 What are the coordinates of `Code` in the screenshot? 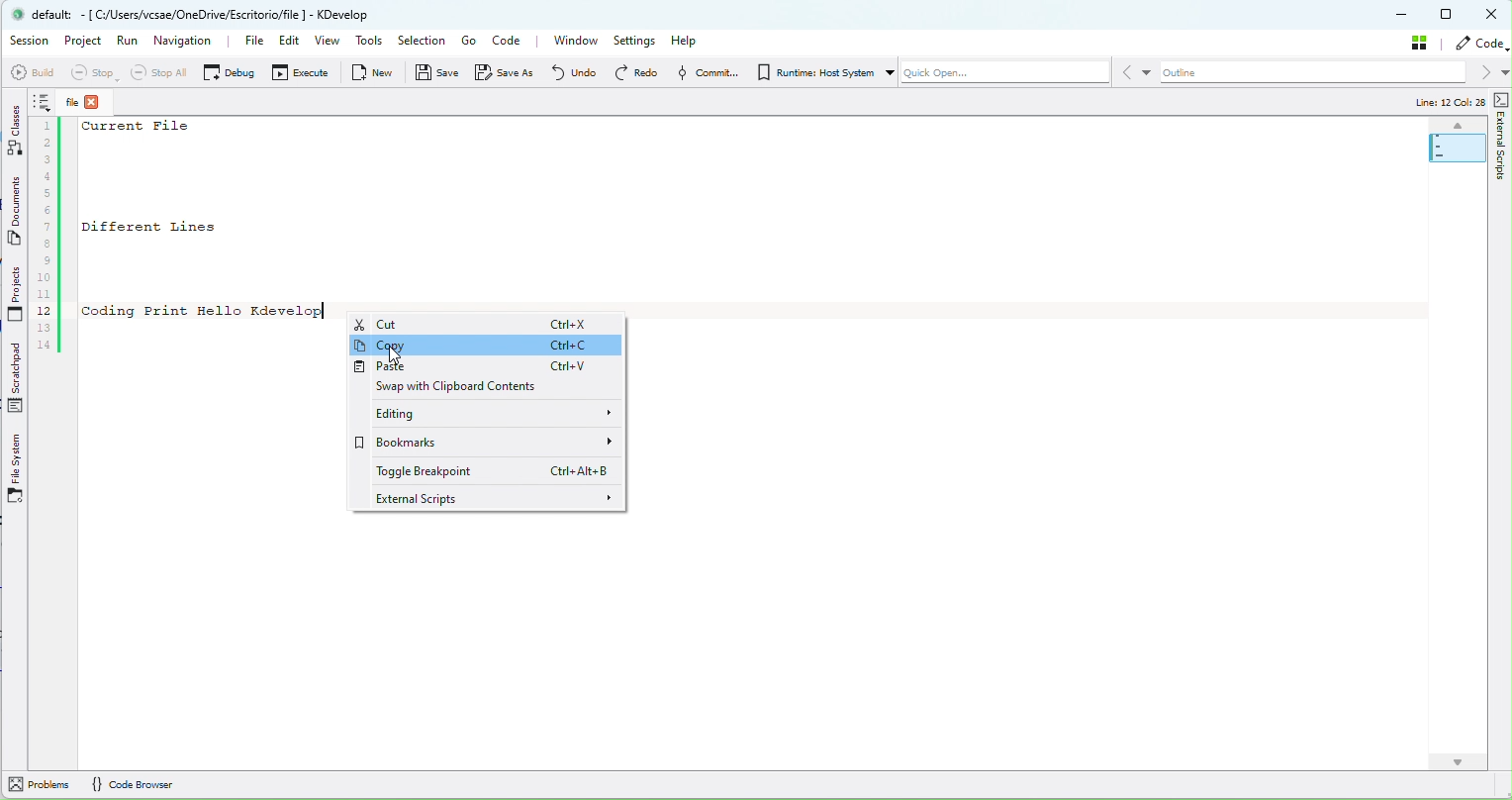 It's located at (512, 43).